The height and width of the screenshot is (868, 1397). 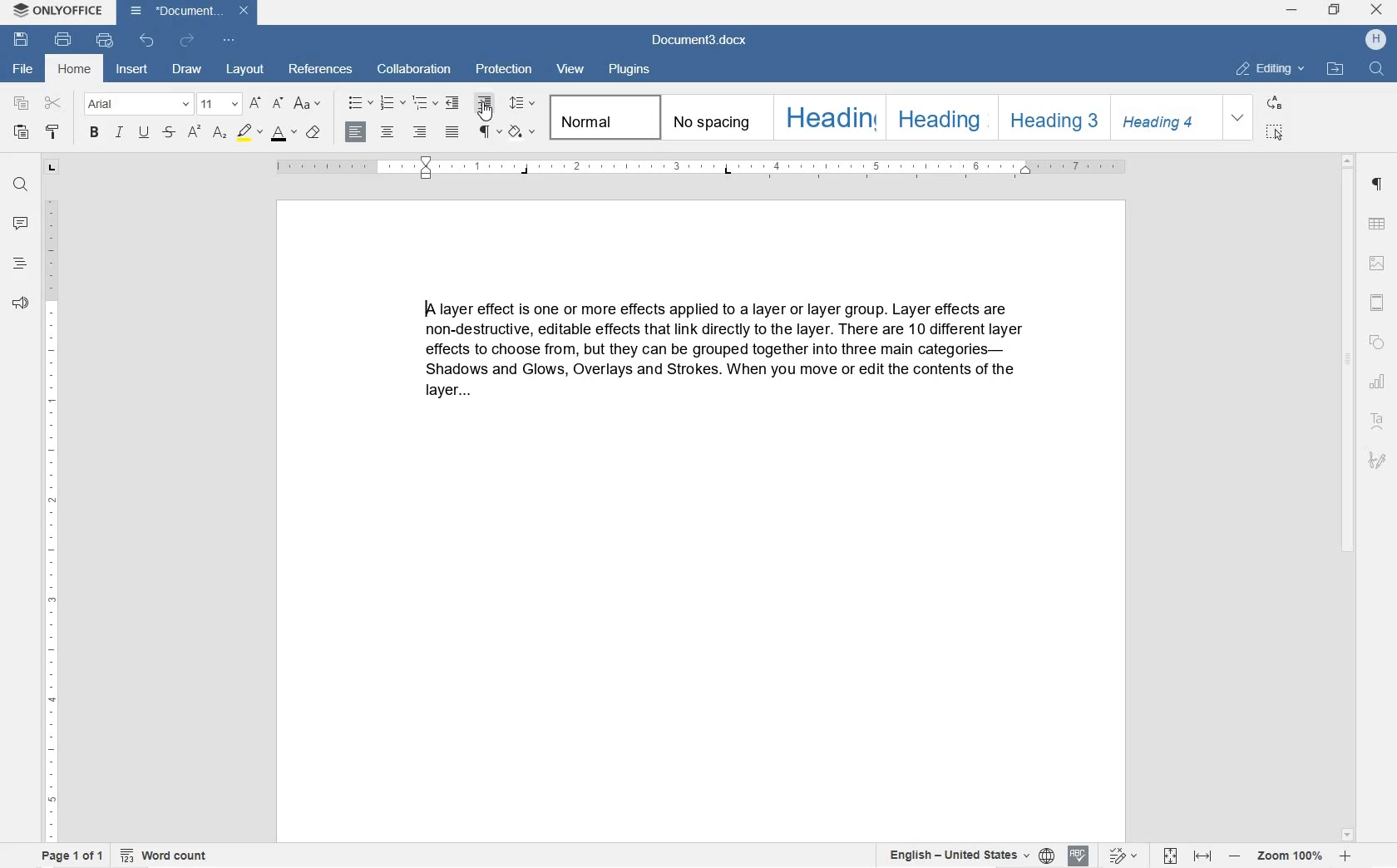 I want to click on DRAW, so click(x=188, y=68).